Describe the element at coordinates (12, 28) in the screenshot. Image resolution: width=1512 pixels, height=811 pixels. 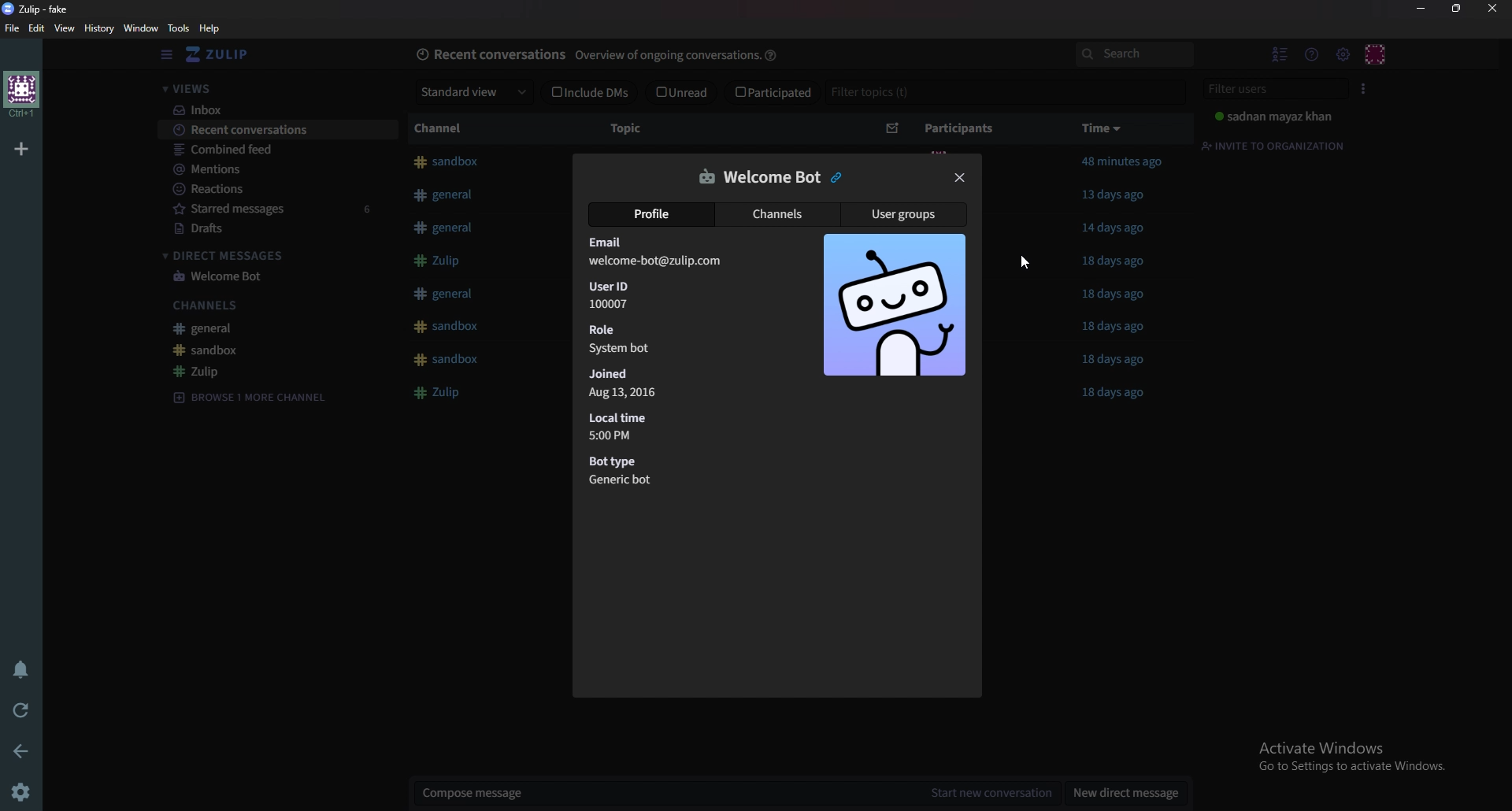
I see `File` at that location.